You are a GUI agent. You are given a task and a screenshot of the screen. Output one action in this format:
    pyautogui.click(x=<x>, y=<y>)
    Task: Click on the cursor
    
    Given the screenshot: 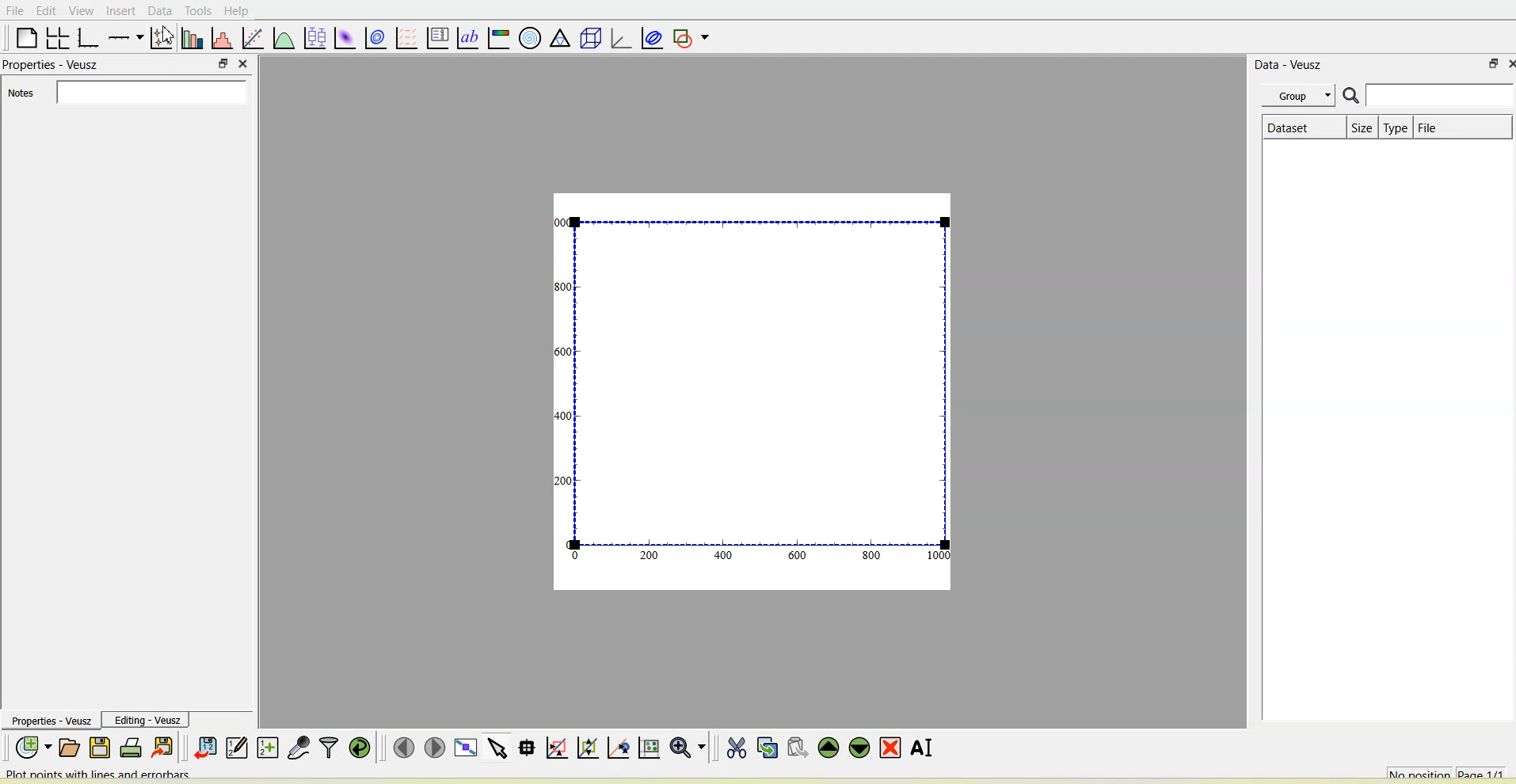 What is the action you would take?
    pyautogui.click(x=168, y=36)
    